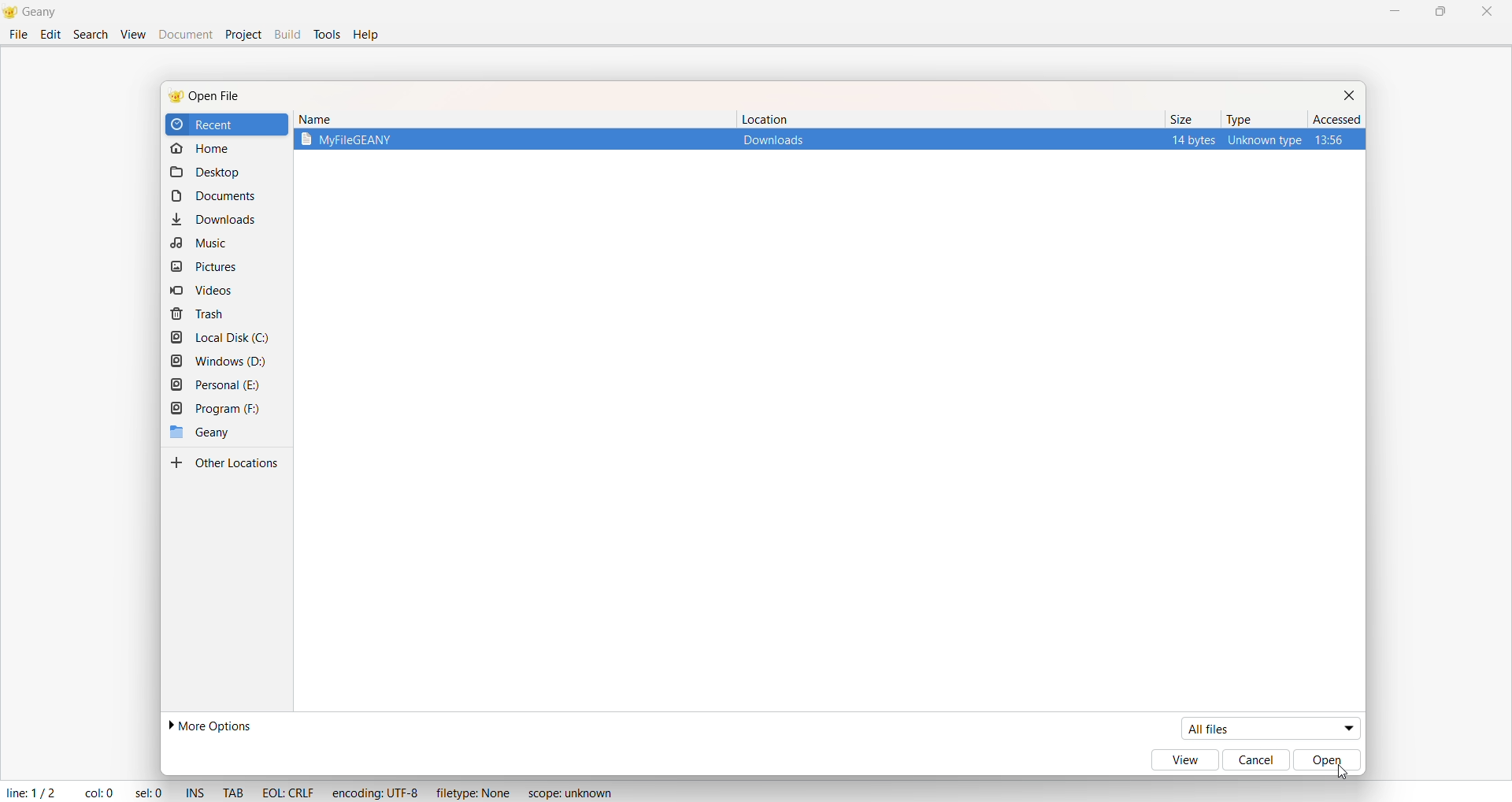 This screenshot has width=1512, height=802. What do you see at coordinates (215, 410) in the screenshot?
I see `Program F` at bounding box center [215, 410].